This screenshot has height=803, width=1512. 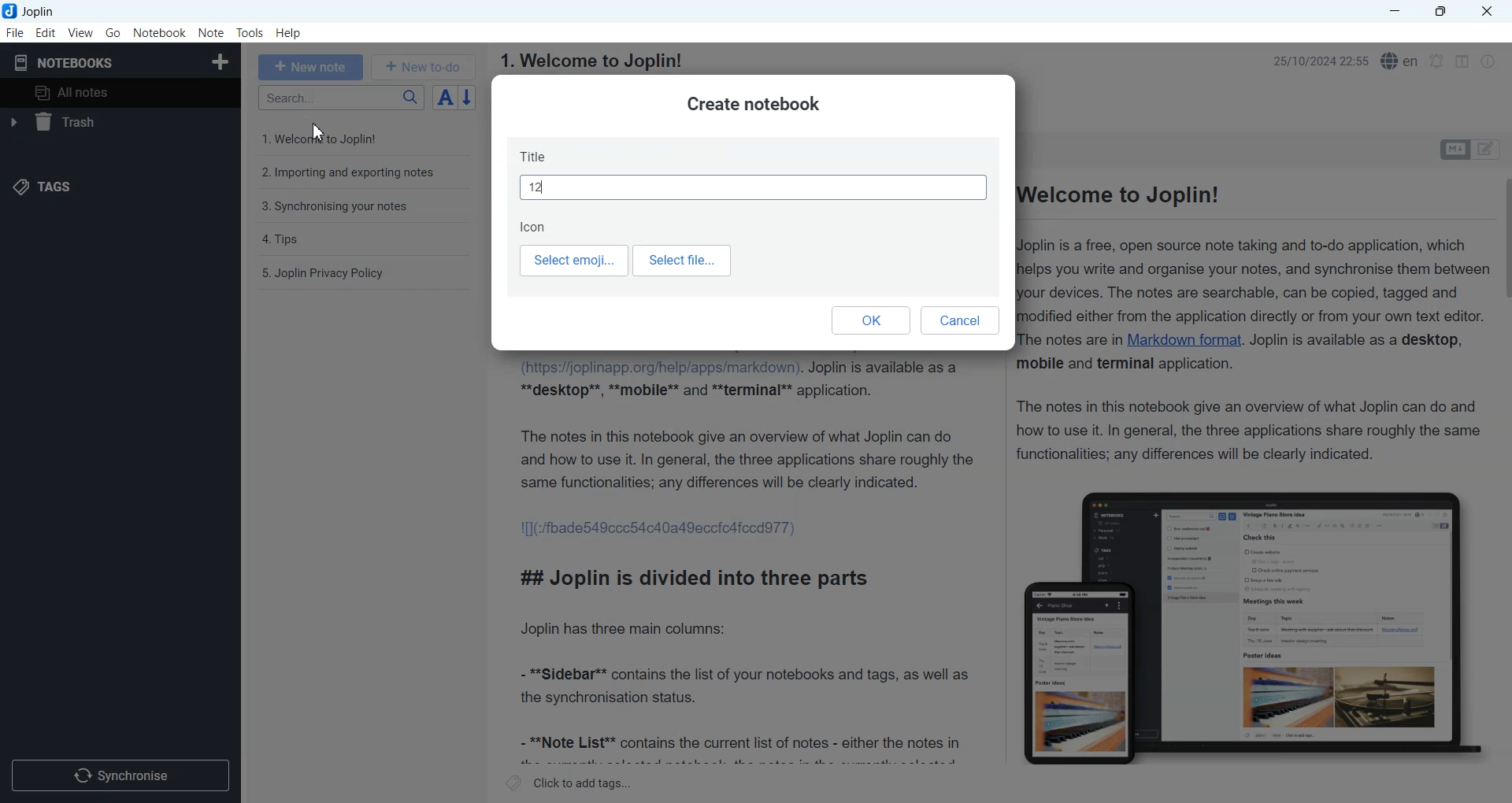 What do you see at coordinates (754, 172) in the screenshot?
I see `Title` at bounding box center [754, 172].